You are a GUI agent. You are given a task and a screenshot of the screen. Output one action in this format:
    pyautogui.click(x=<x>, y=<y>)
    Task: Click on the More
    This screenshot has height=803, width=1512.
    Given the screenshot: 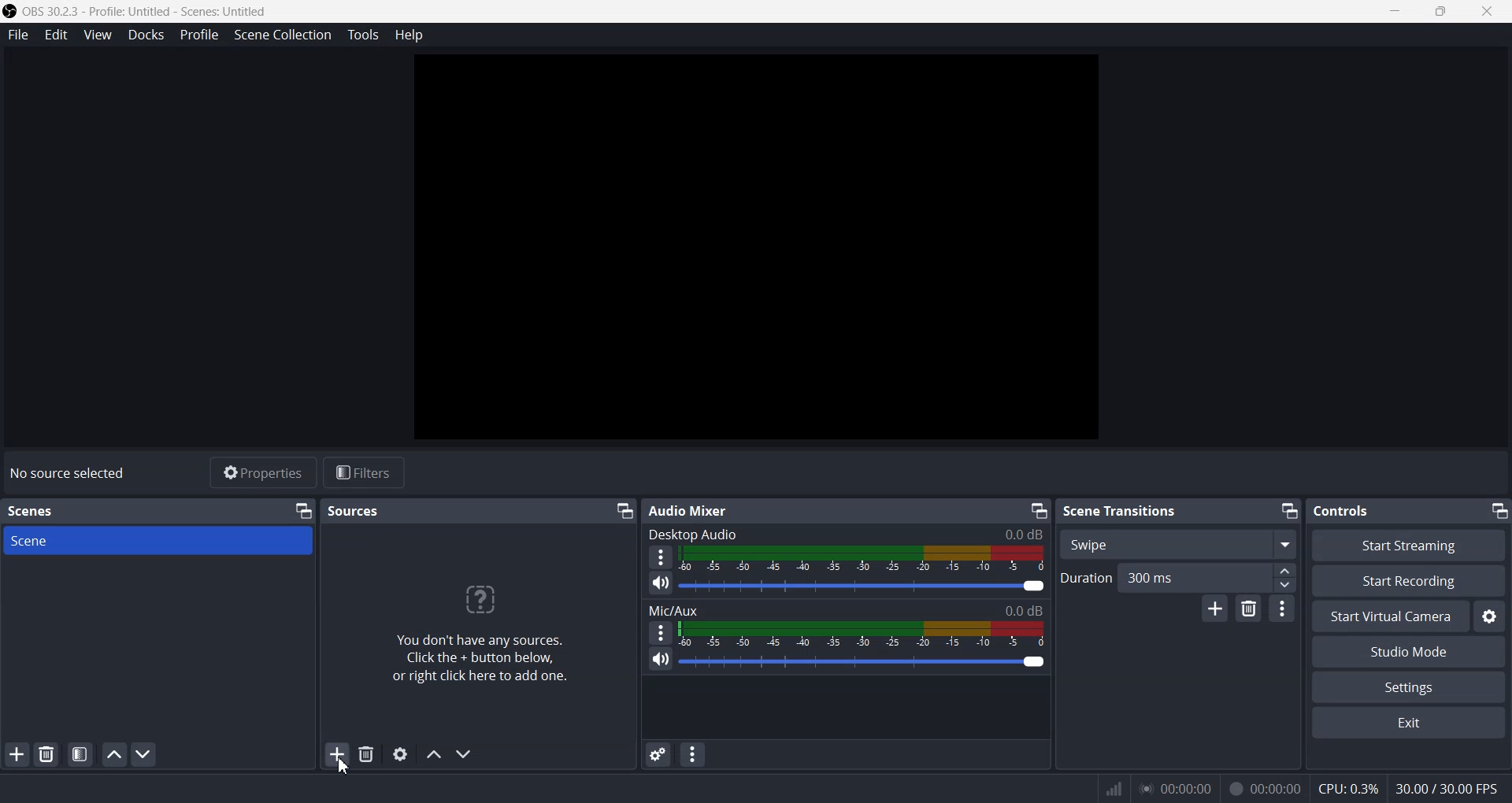 What is the action you would take?
    pyautogui.click(x=658, y=632)
    